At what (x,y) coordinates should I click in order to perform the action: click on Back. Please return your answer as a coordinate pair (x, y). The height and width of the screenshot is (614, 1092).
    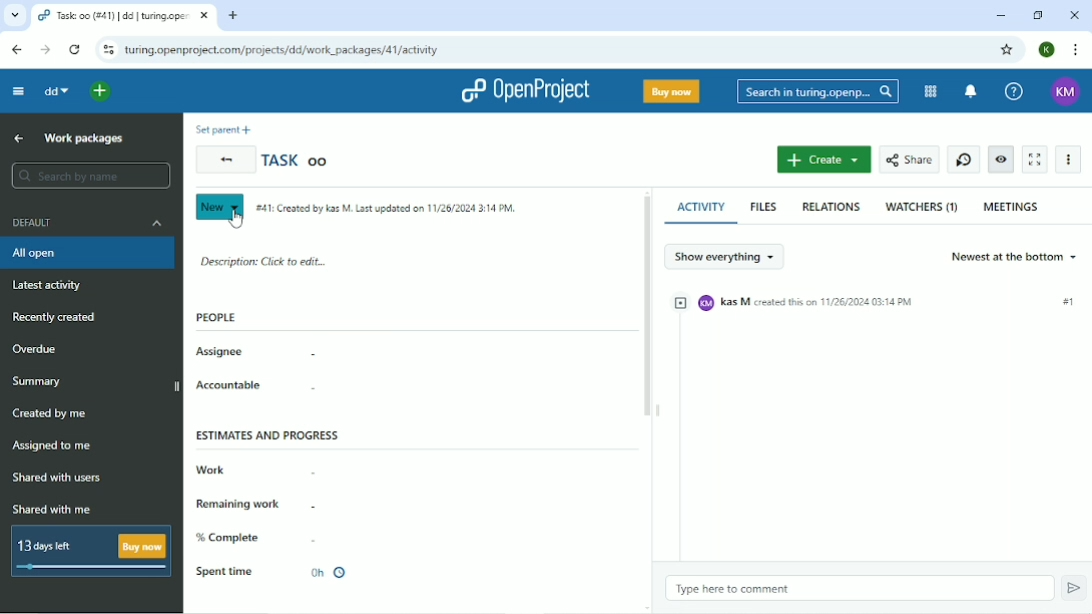
    Looking at the image, I should click on (224, 160).